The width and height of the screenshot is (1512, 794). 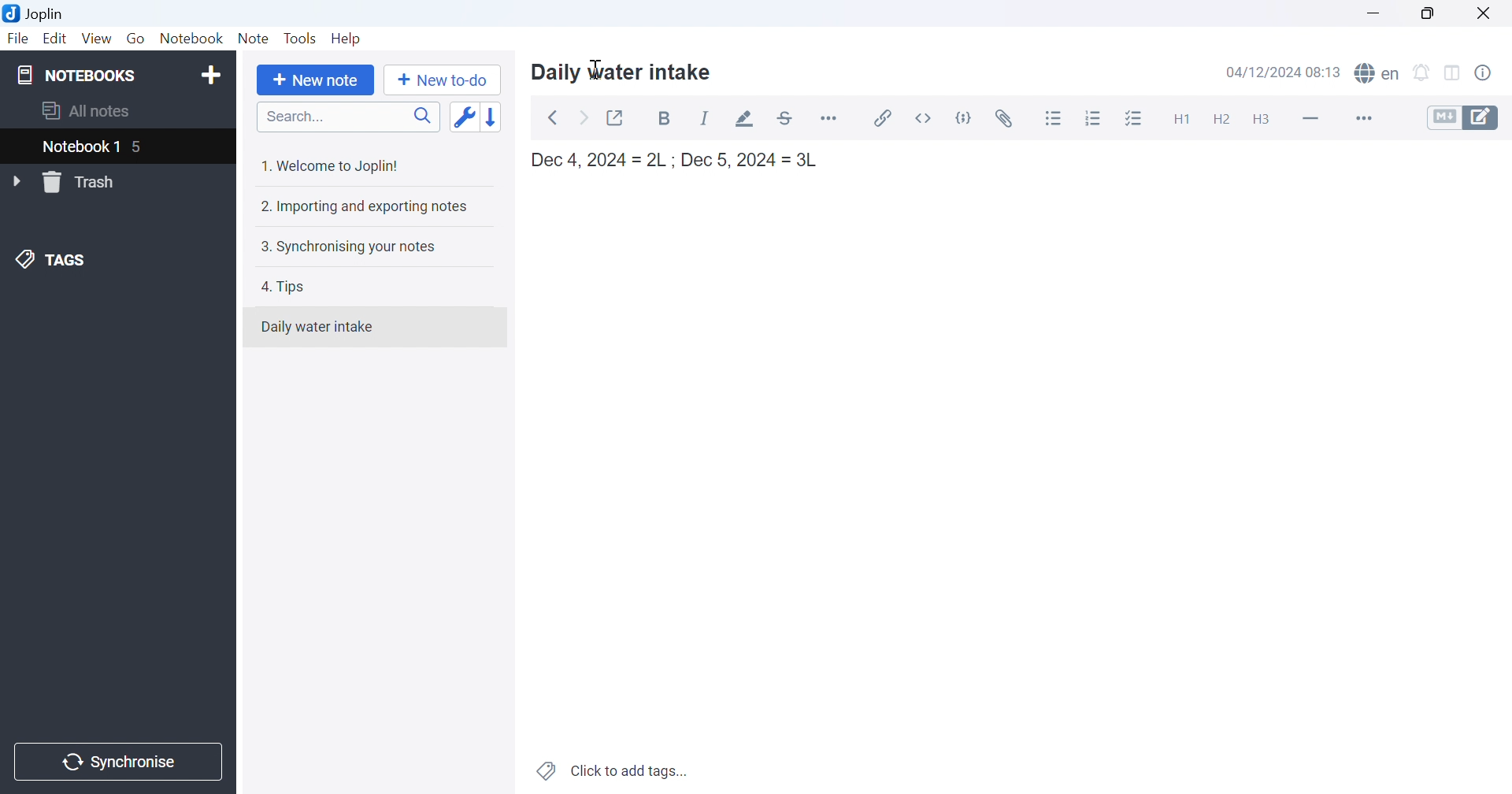 What do you see at coordinates (743, 118) in the screenshot?
I see `Highlight` at bounding box center [743, 118].